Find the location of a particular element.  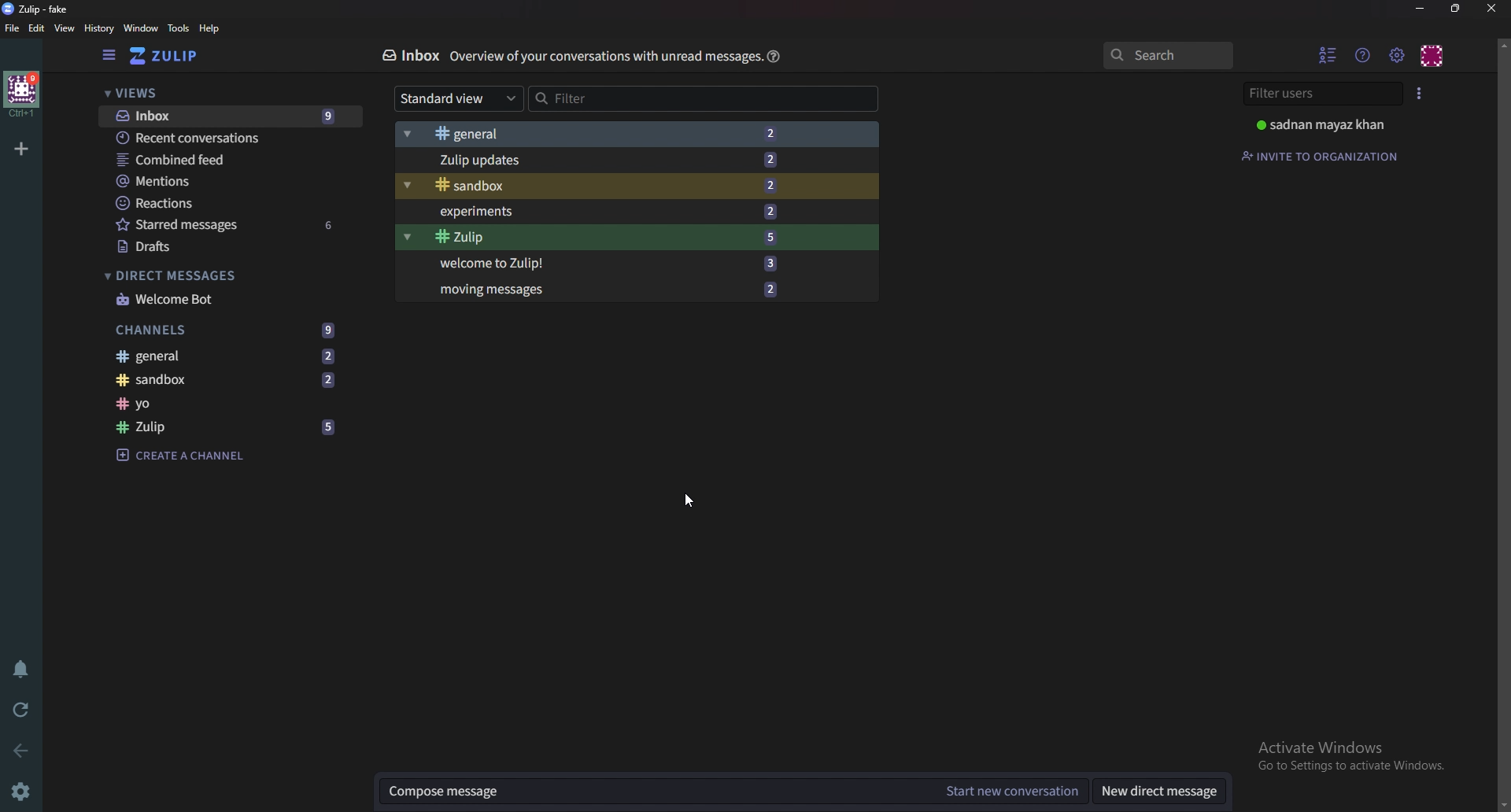

Profile is located at coordinates (1324, 124).